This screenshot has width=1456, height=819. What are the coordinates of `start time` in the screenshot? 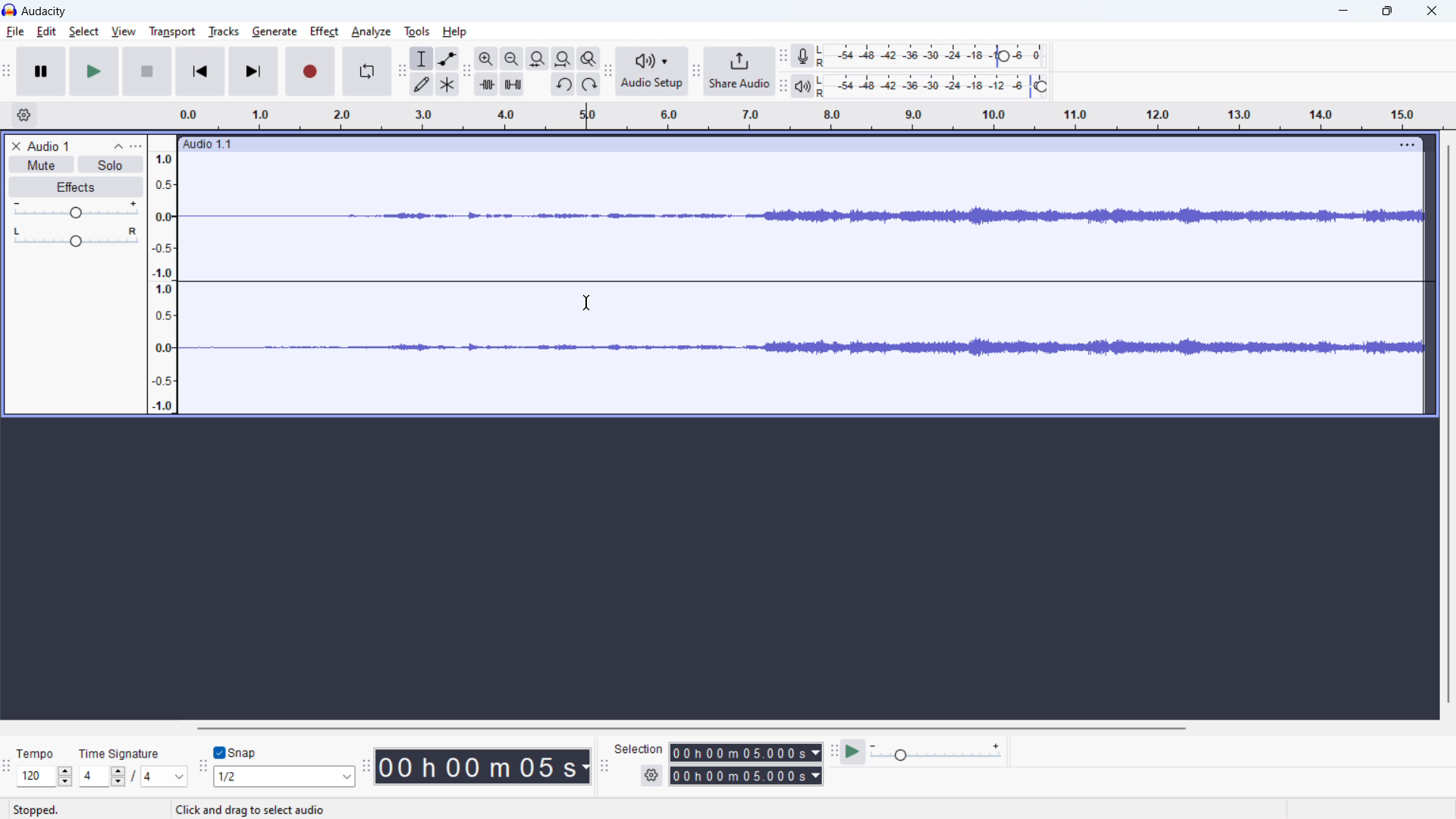 It's located at (746, 752).